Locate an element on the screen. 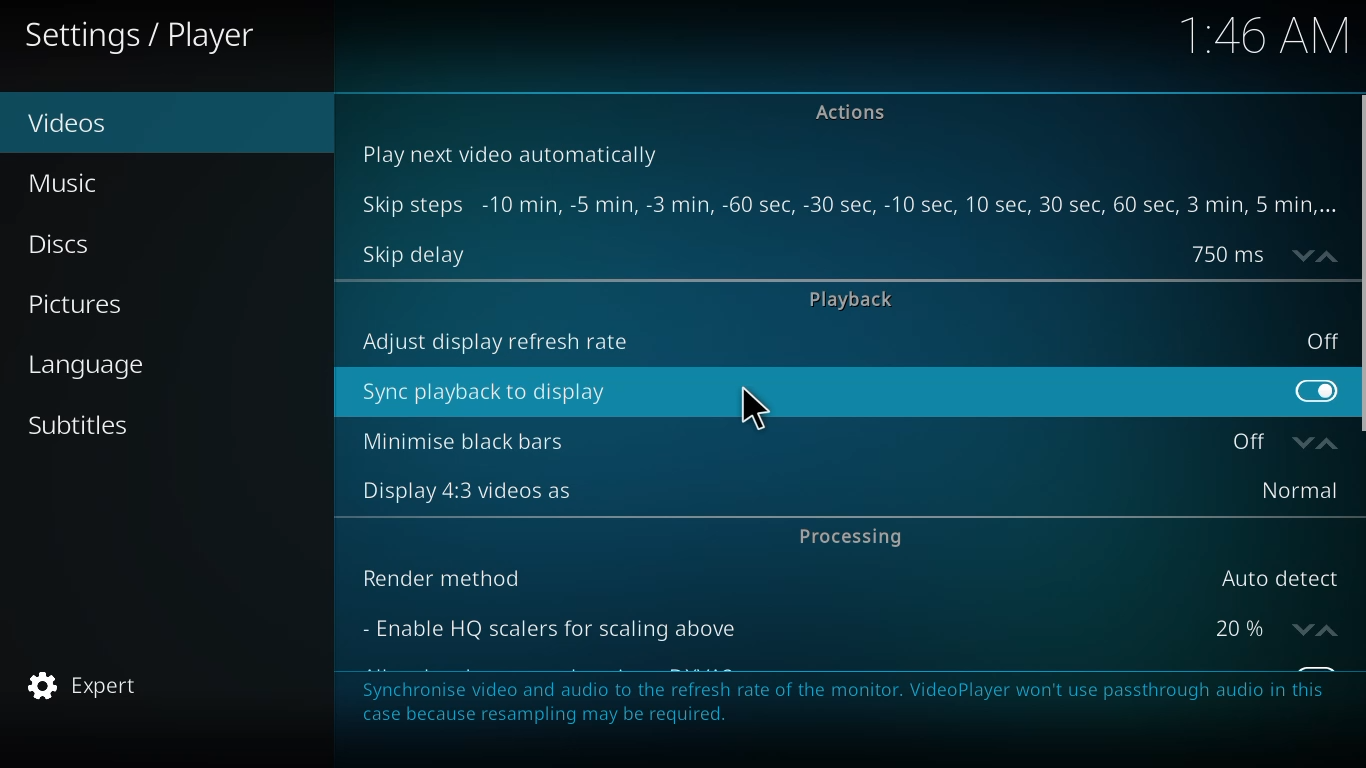 Image resolution: width=1366 pixels, height=768 pixels. delay is located at coordinates (1257, 255).